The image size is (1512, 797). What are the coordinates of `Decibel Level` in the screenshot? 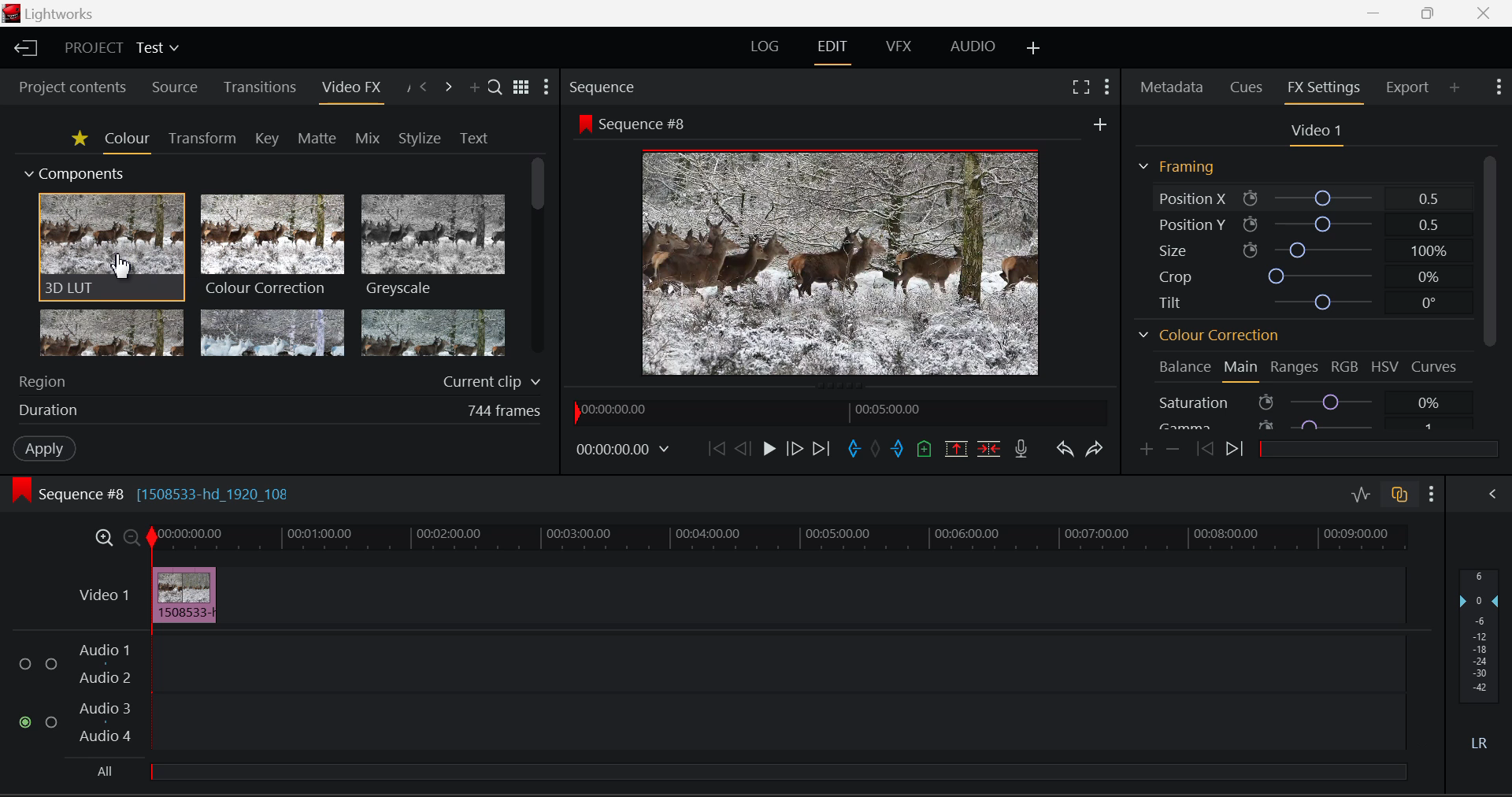 It's located at (1483, 662).